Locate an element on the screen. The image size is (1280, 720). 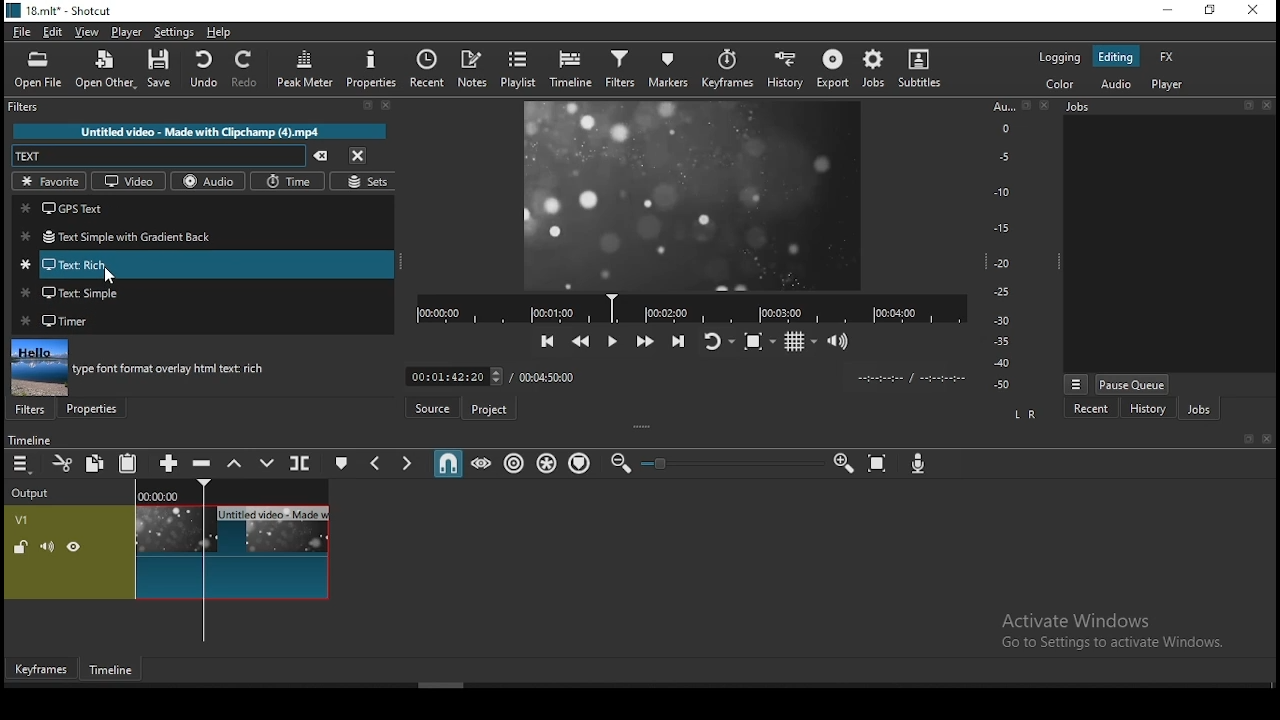
properties is located at coordinates (91, 408).